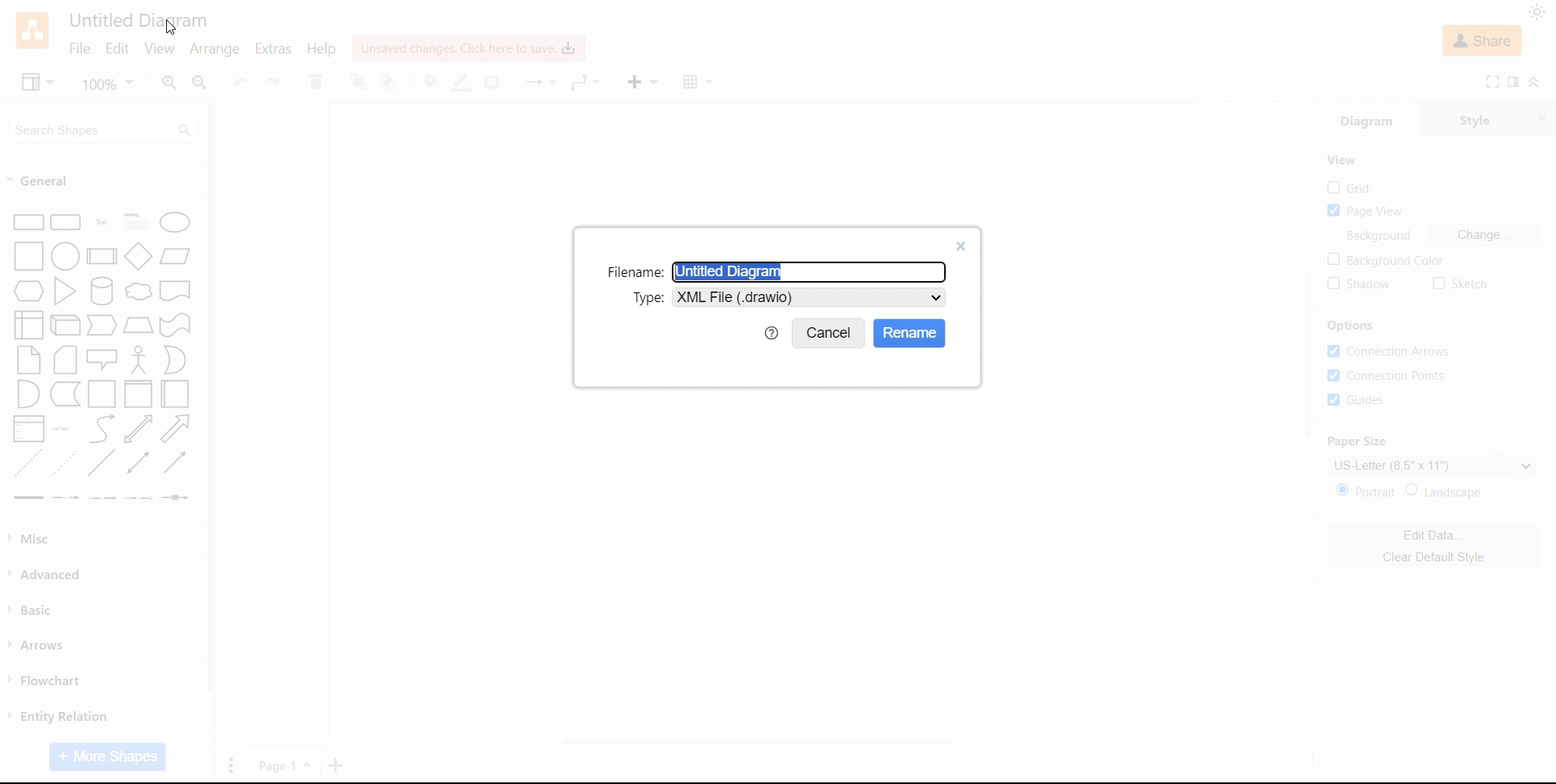 The height and width of the screenshot is (784, 1556). Describe the element at coordinates (1352, 326) in the screenshot. I see `Options ` at that location.